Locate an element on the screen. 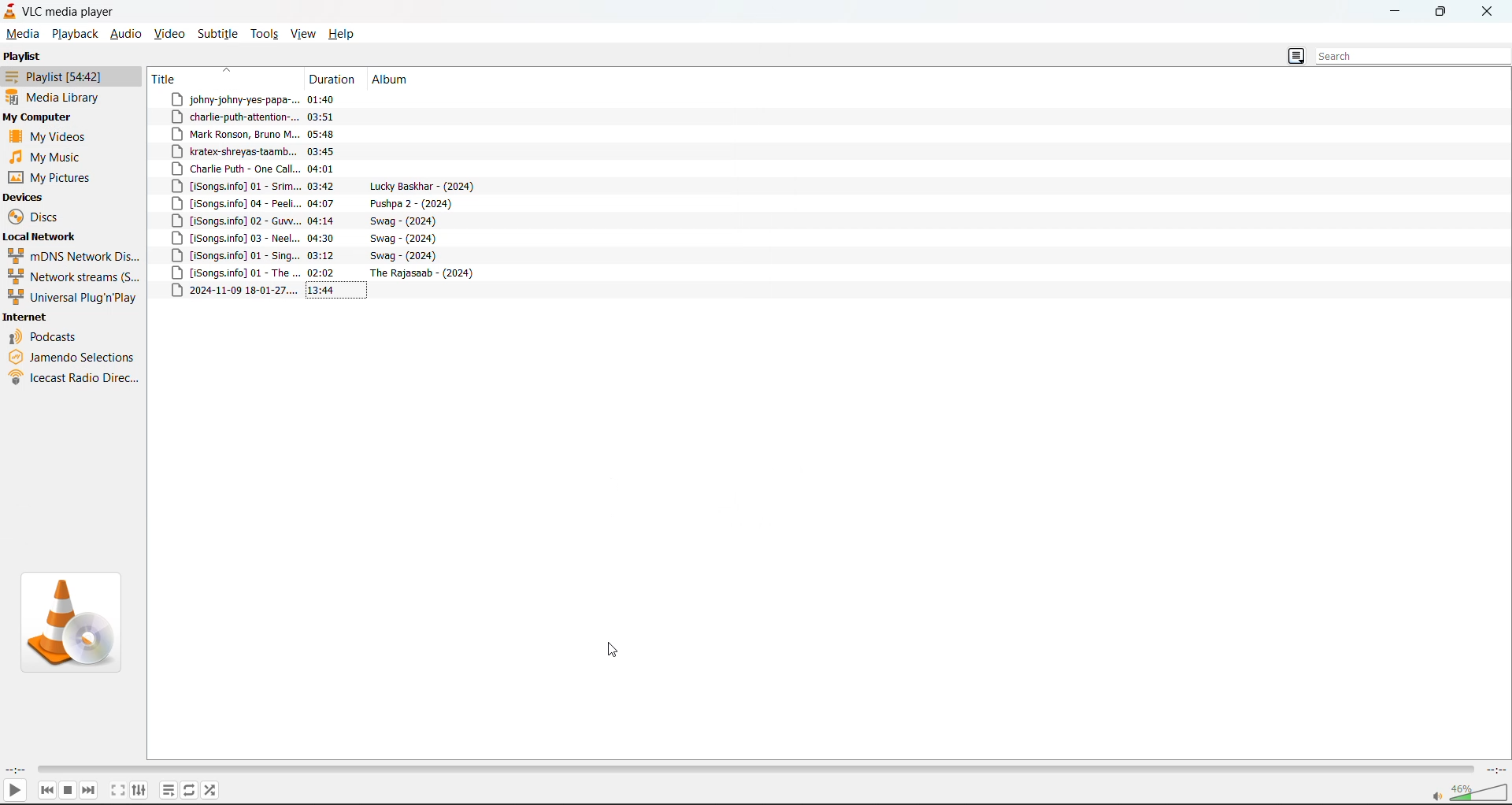 This screenshot has height=805, width=1512. track 11 title, duration and album details is located at coordinates (328, 274).